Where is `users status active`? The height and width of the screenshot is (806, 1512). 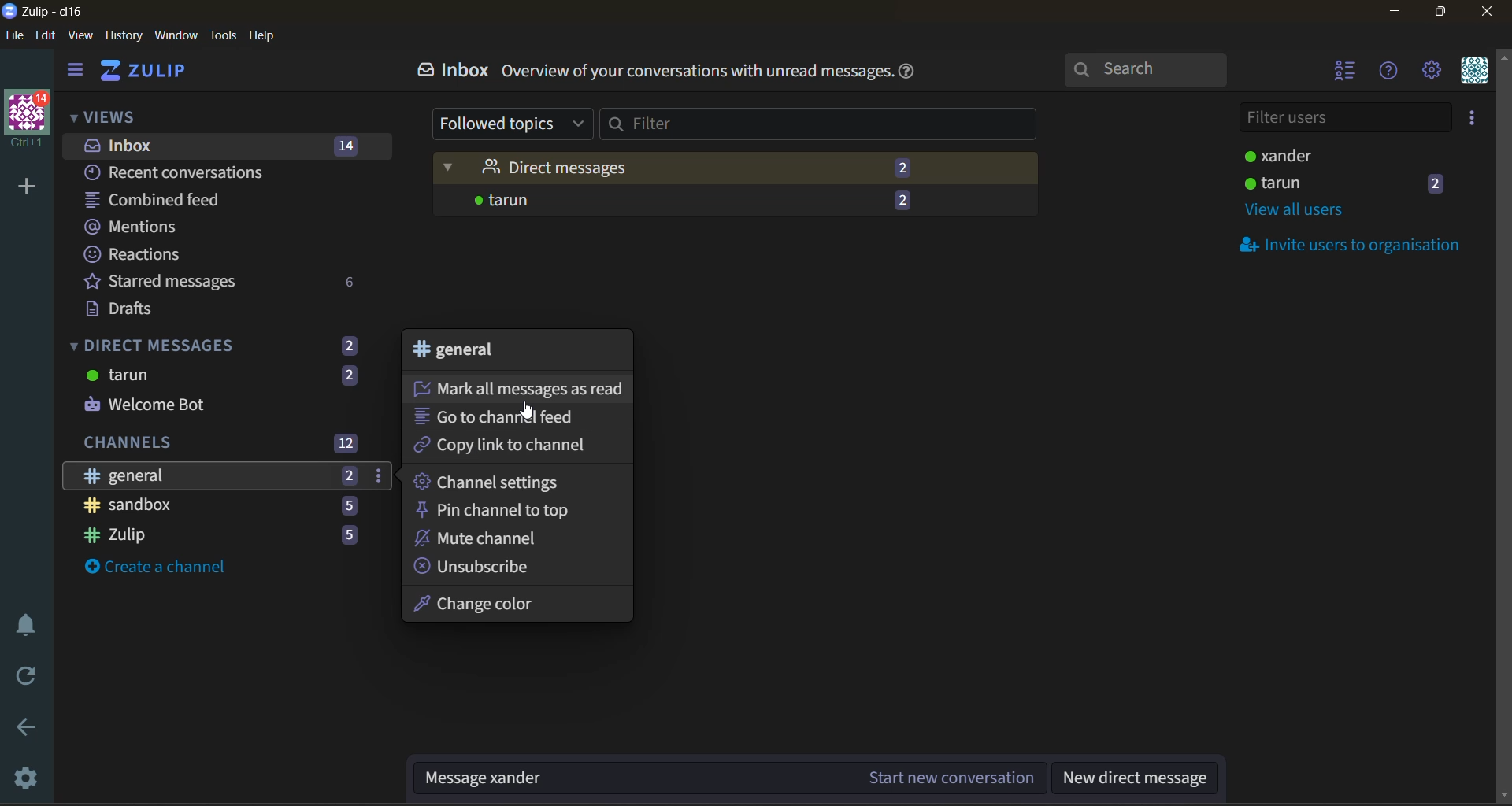 users status active is located at coordinates (1345, 154).